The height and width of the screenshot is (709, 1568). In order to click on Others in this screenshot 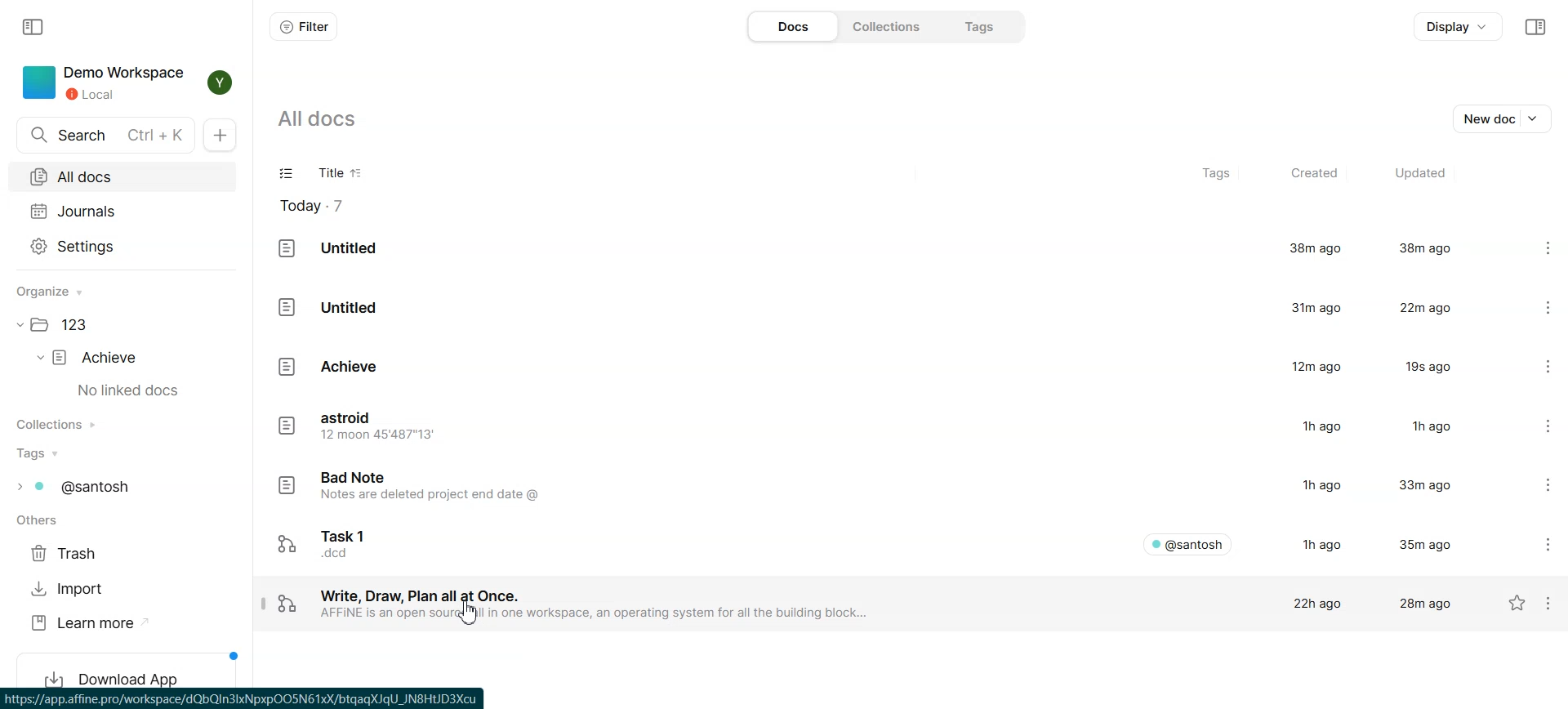, I will do `click(42, 522)`.